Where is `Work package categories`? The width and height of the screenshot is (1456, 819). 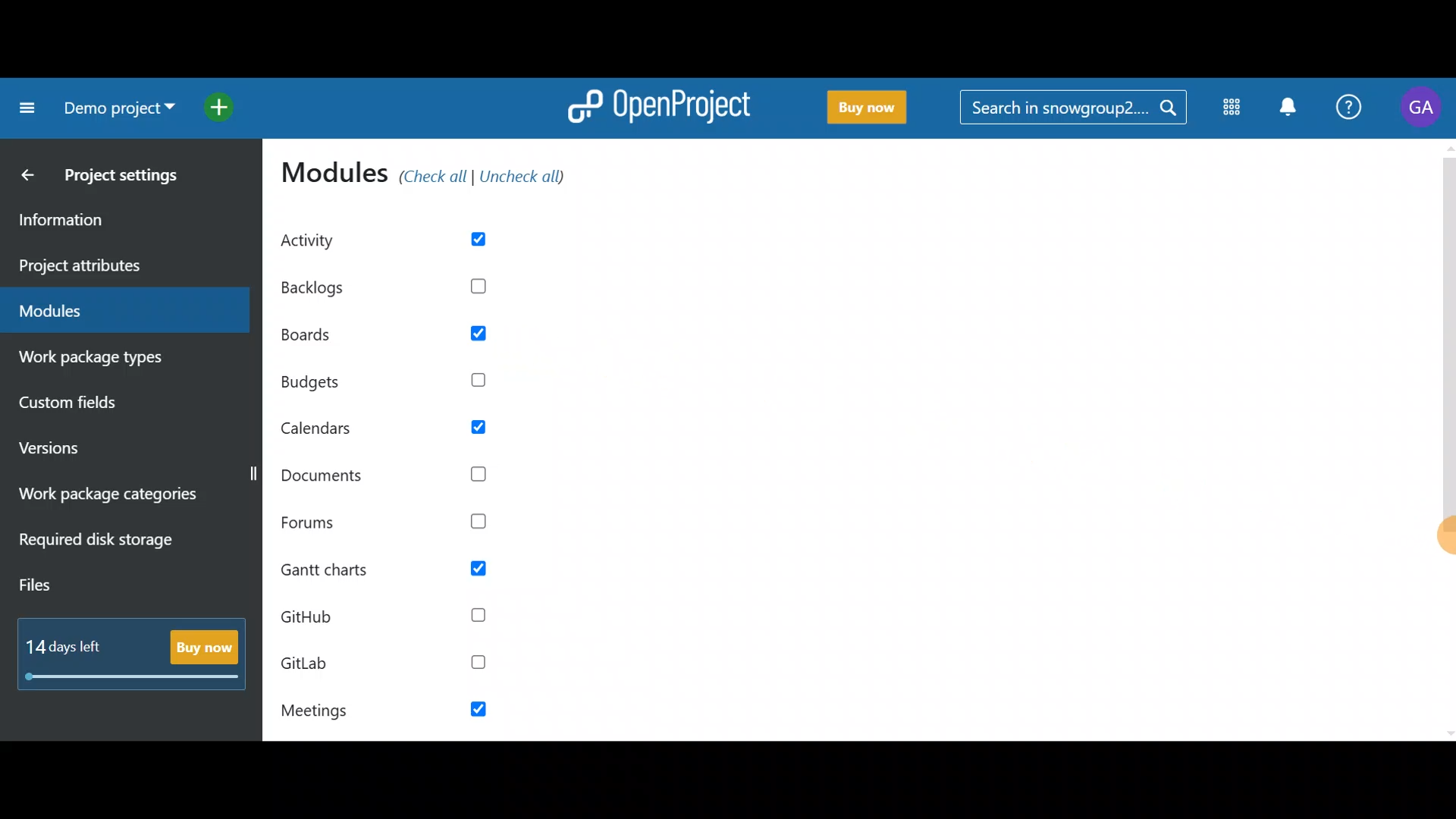
Work package categories is located at coordinates (121, 497).